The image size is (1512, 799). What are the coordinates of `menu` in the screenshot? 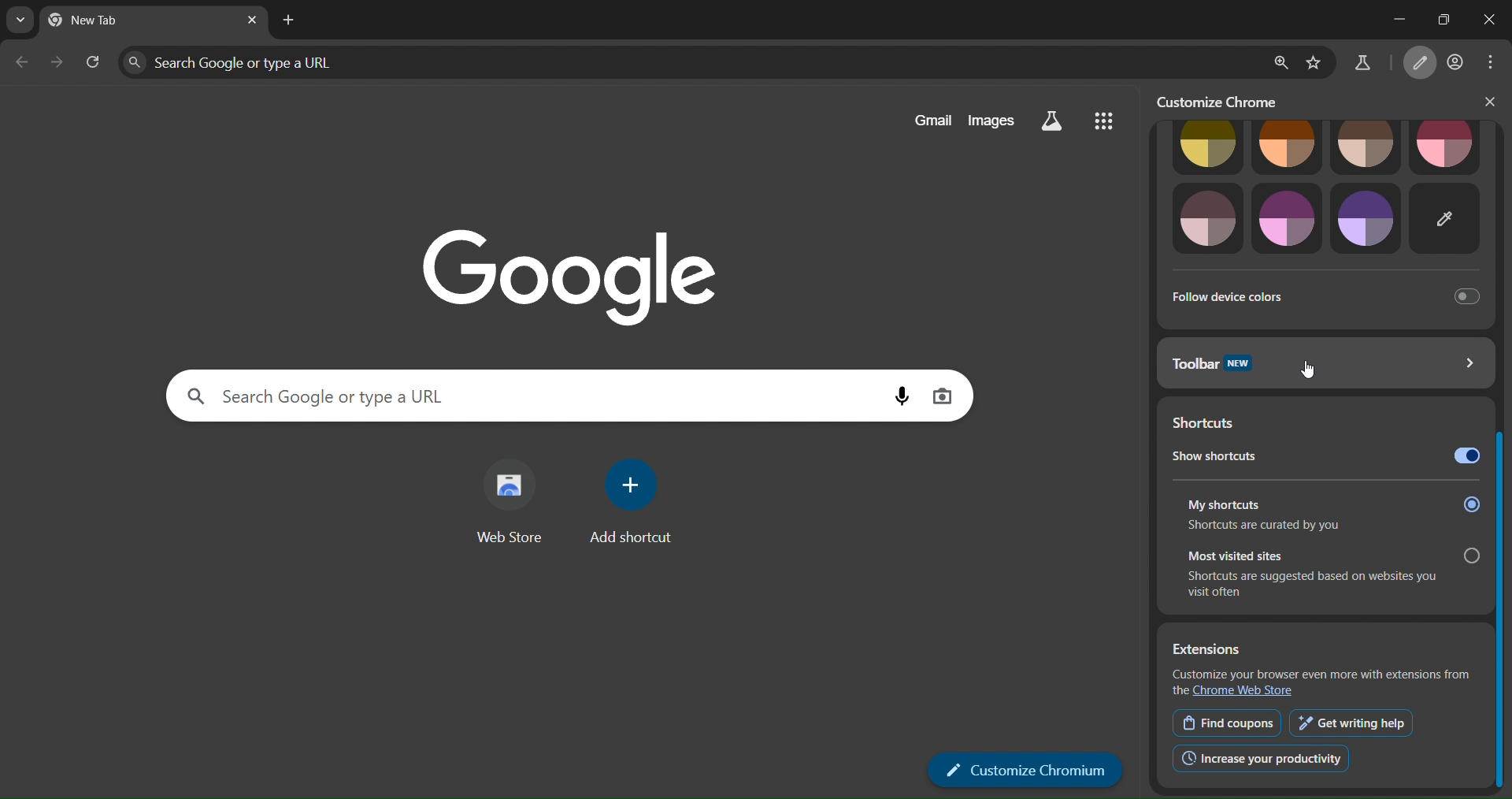 It's located at (1104, 123).